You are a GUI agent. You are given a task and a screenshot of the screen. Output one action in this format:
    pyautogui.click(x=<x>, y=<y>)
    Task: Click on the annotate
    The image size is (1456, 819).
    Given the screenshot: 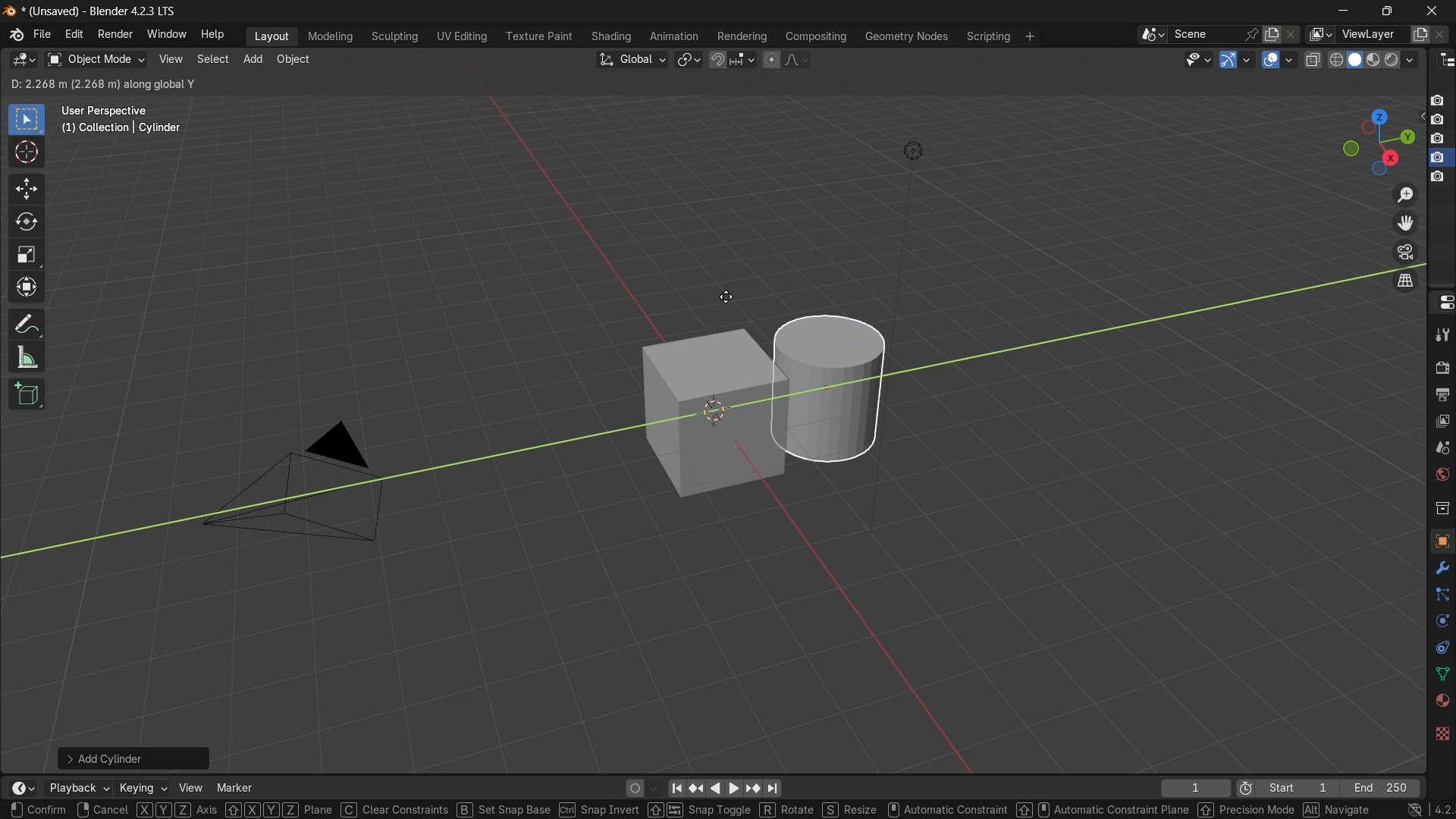 What is the action you would take?
    pyautogui.click(x=29, y=325)
    